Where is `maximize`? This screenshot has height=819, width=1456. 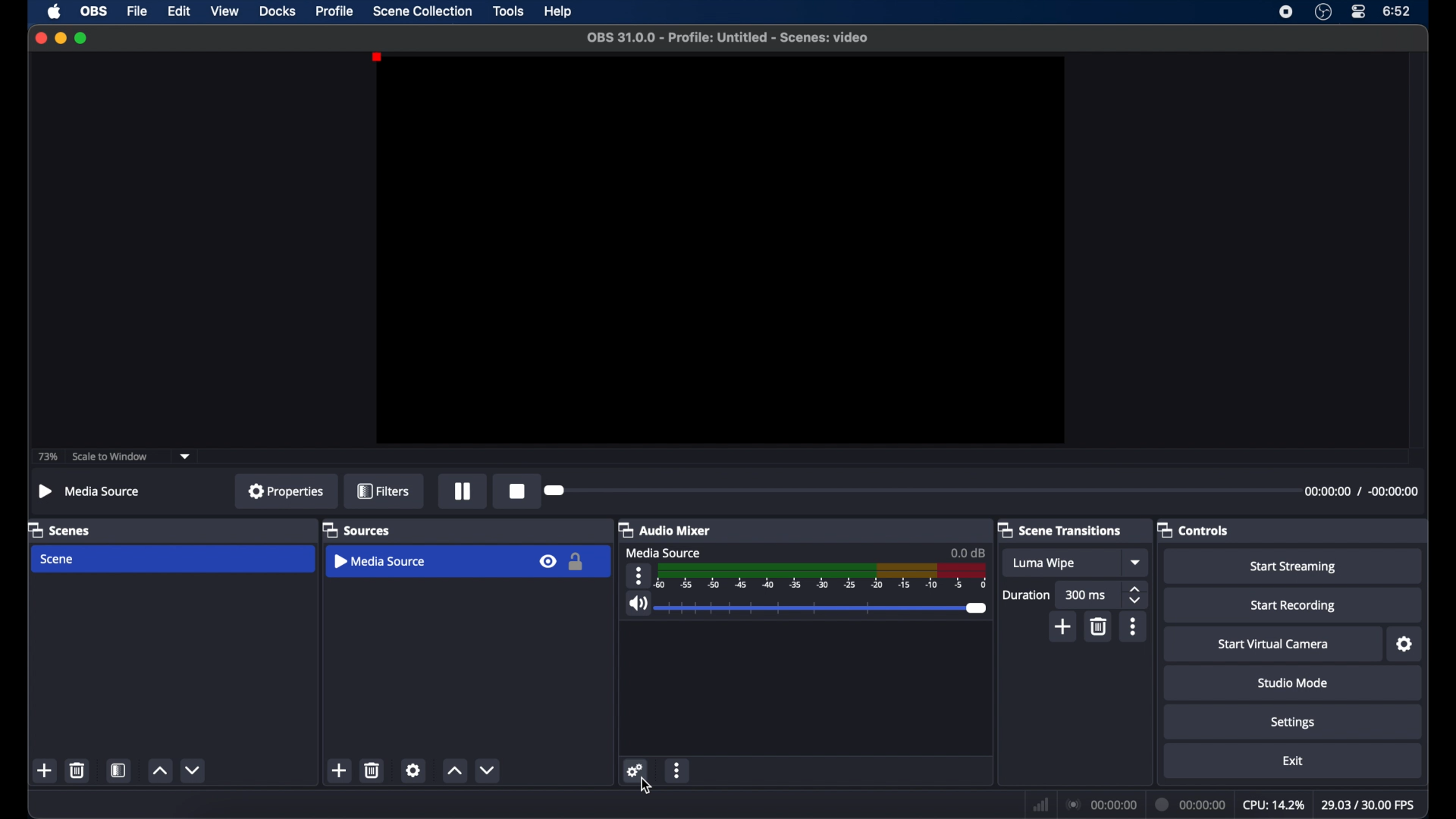 maximize is located at coordinates (81, 38).